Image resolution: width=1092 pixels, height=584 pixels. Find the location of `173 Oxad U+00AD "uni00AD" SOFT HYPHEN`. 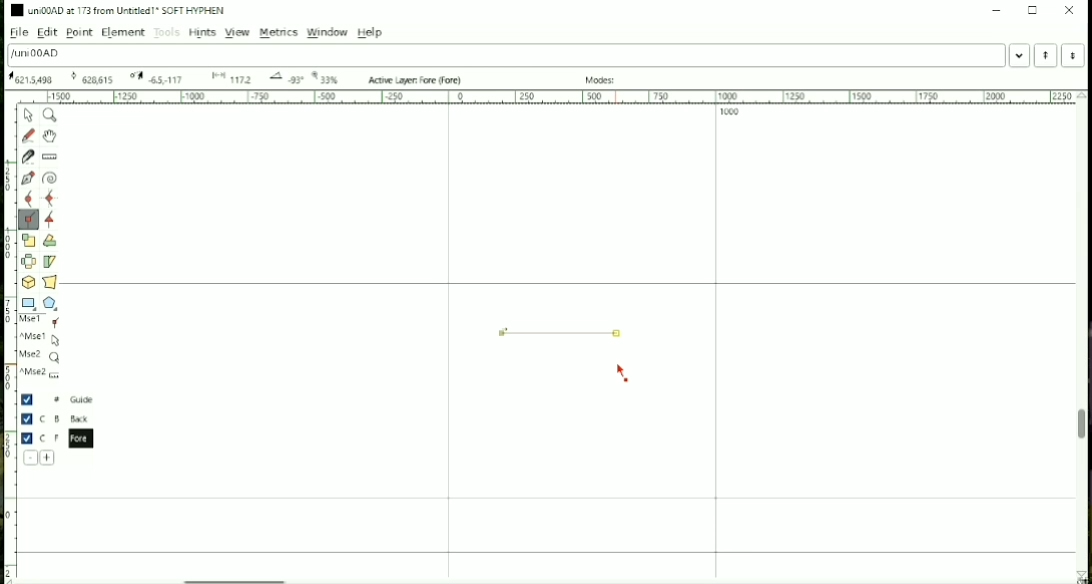

173 Oxad U+00AD "uni00AD" SOFT HYPHEN is located at coordinates (327, 77).